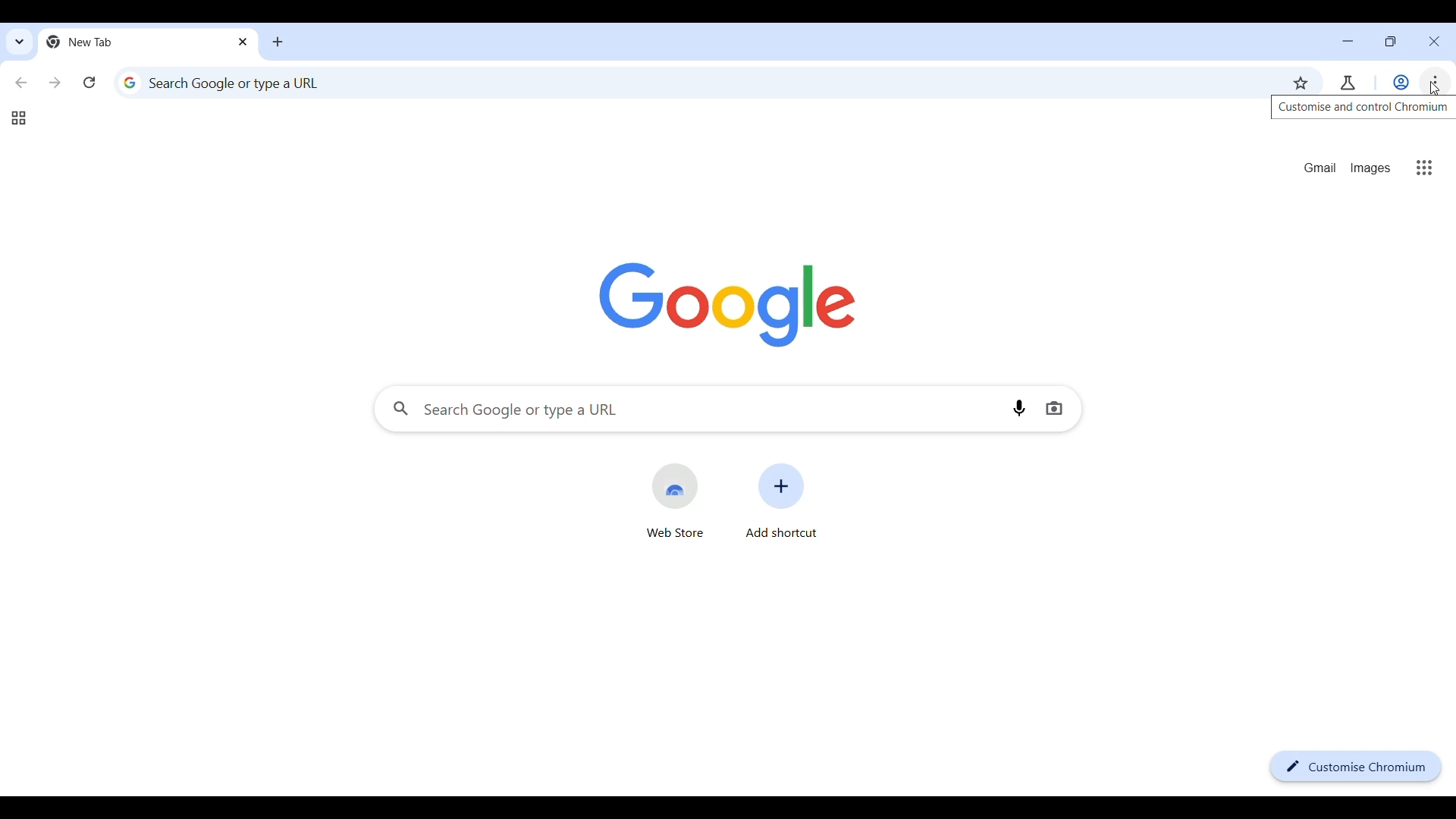 The image size is (1456, 819). What do you see at coordinates (18, 118) in the screenshot?
I see `Tab groups` at bounding box center [18, 118].